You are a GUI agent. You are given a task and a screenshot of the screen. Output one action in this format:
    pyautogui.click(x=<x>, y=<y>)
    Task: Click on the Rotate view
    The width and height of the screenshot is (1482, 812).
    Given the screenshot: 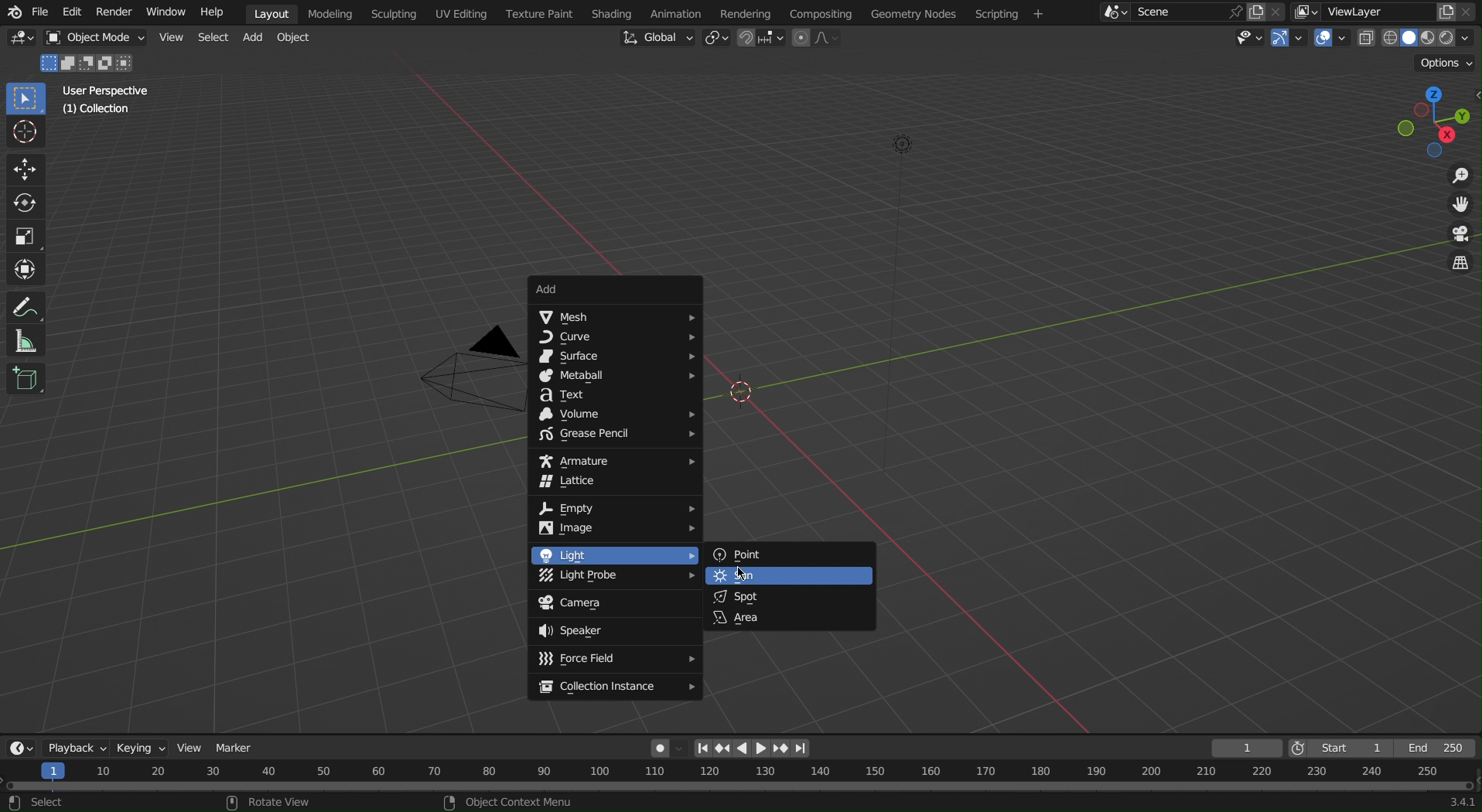 What is the action you would take?
    pyautogui.click(x=286, y=802)
    